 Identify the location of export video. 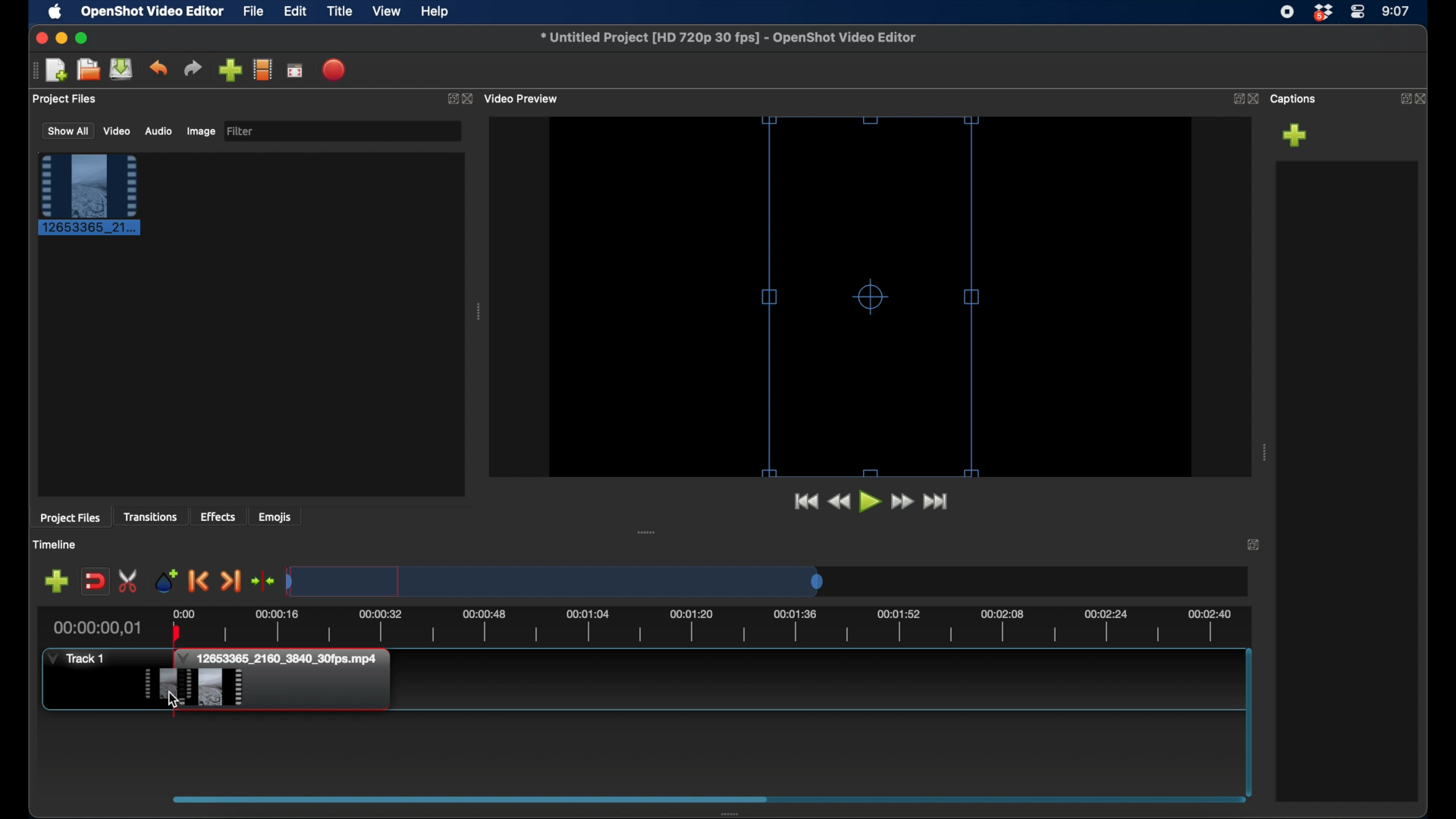
(332, 70).